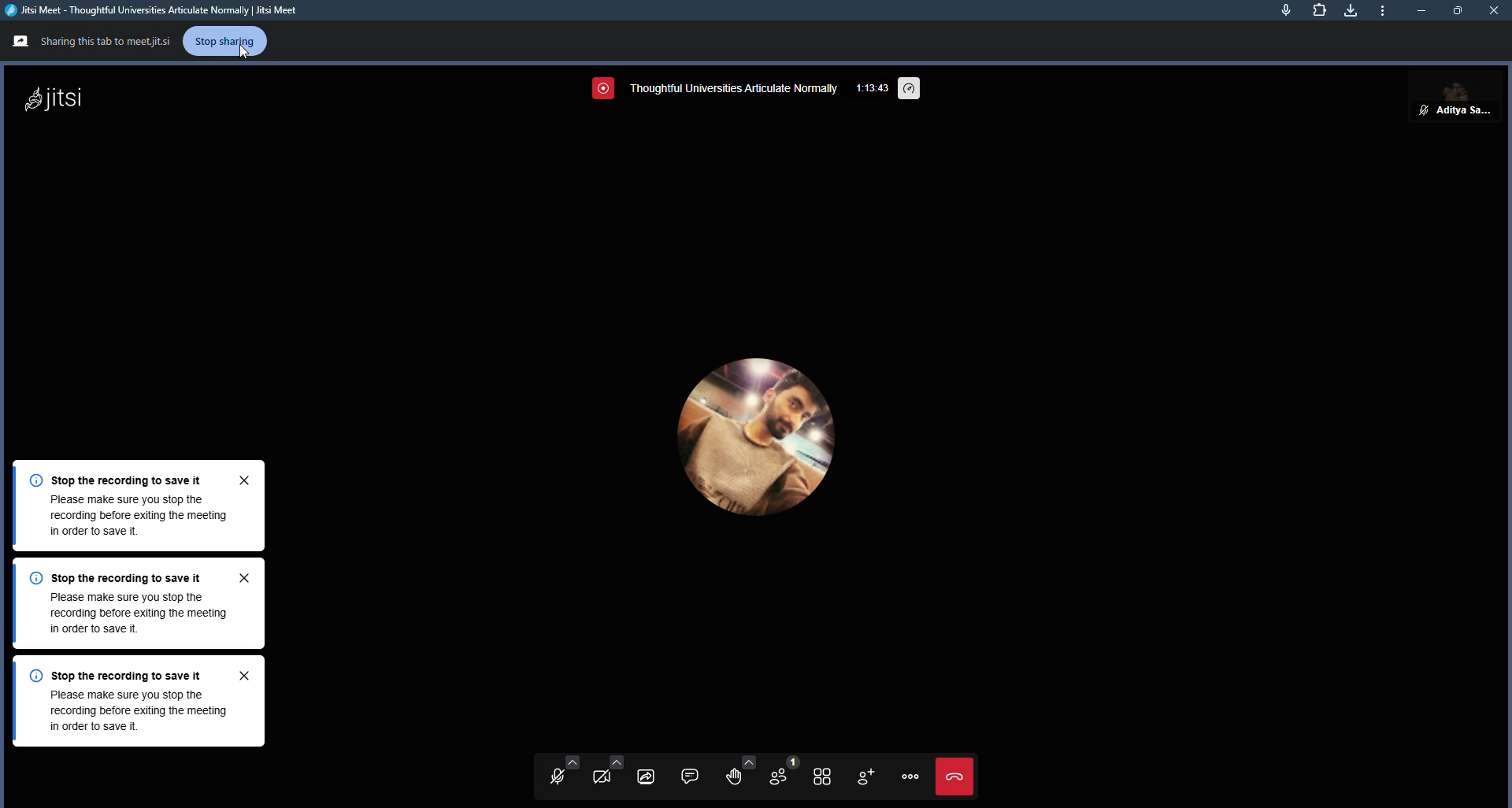  Describe the element at coordinates (180, 9) in the screenshot. I see `Jitsi Meet - Thoughtful Universities Articulate Normally | Jitsi Meet` at that location.